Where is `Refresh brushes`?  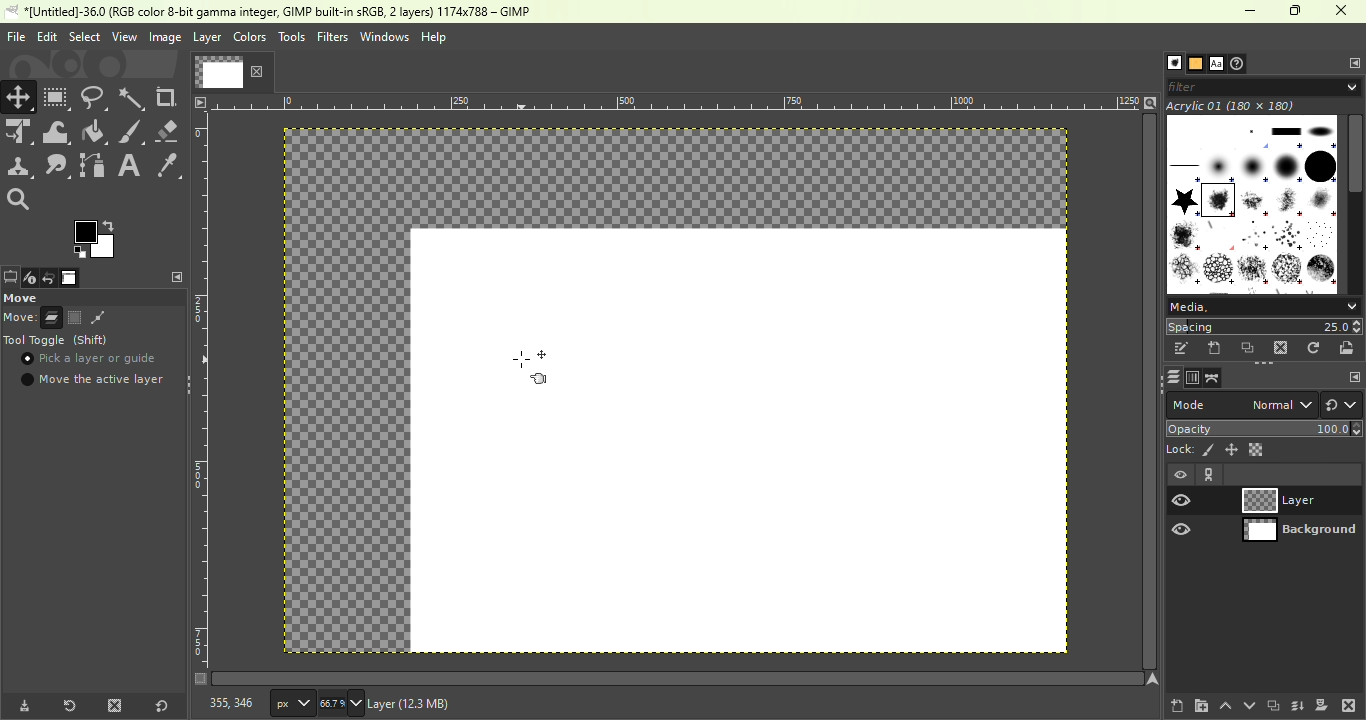
Refresh brushes is located at coordinates (1316, 347).